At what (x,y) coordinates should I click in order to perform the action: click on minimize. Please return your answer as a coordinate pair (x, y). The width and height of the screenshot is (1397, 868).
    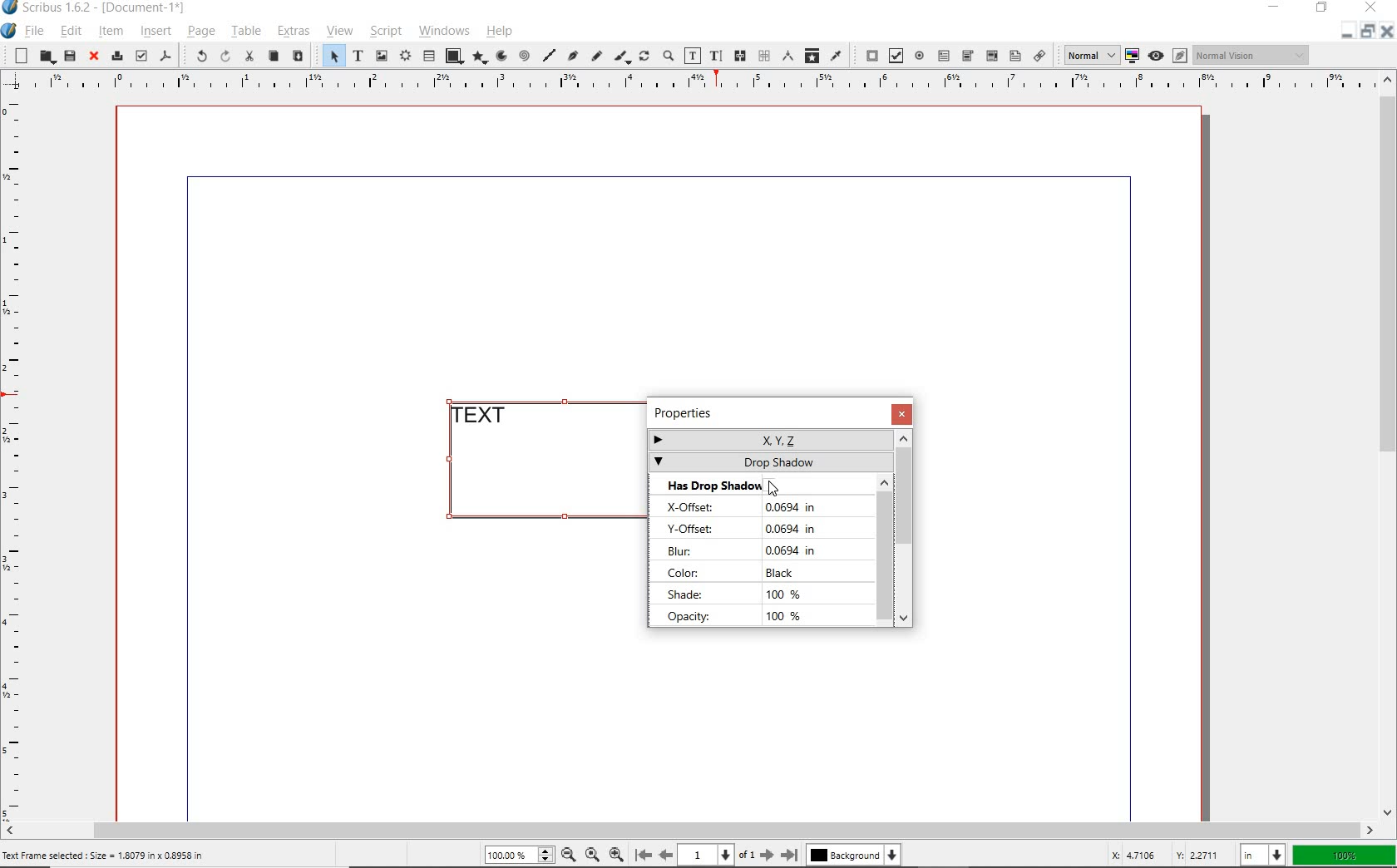
    Looking at the image, I should click on (1365, 32).